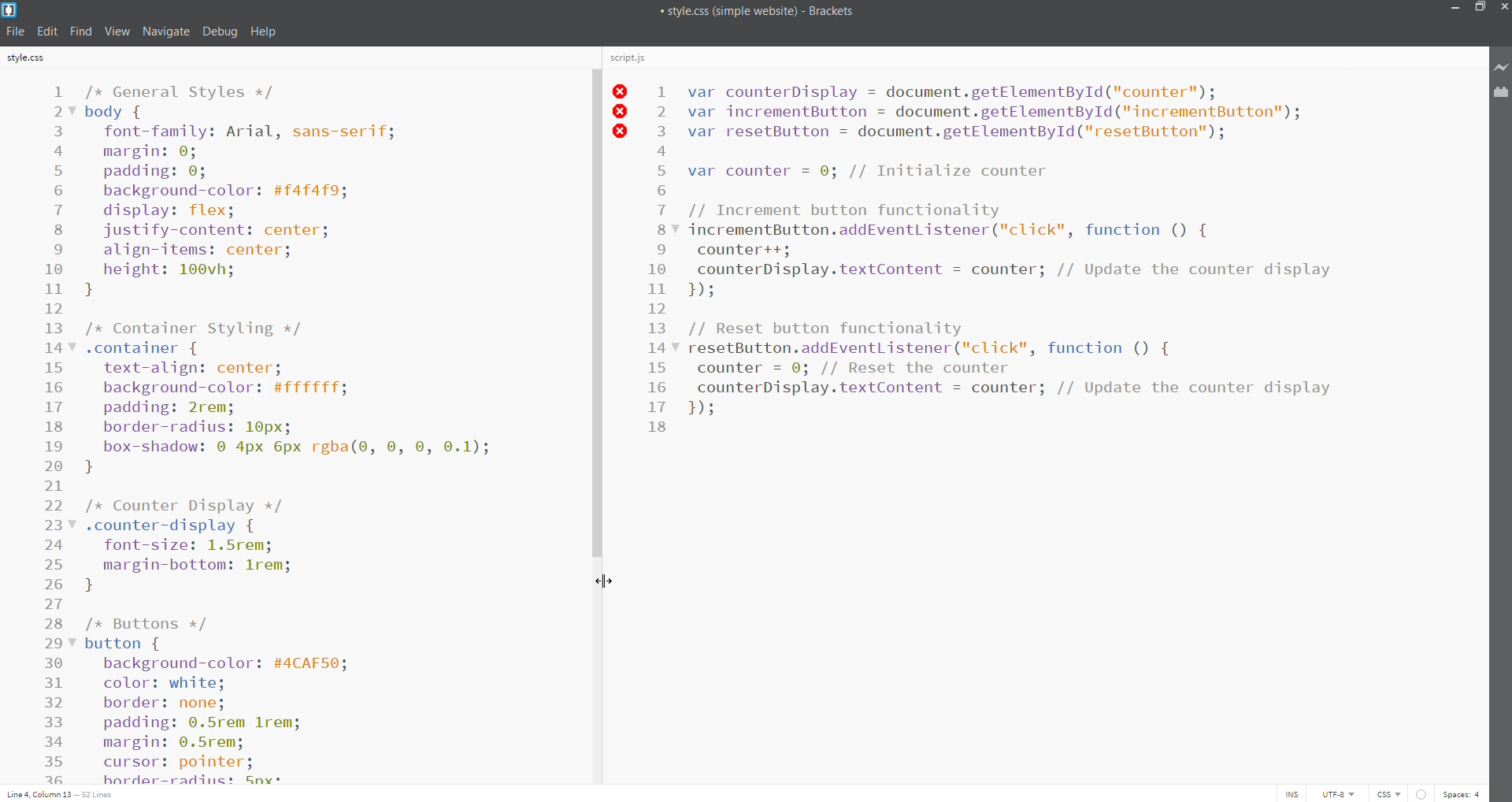 This screenshot has width=1512, height=802. I want to click on line error status, so click(625, 111).